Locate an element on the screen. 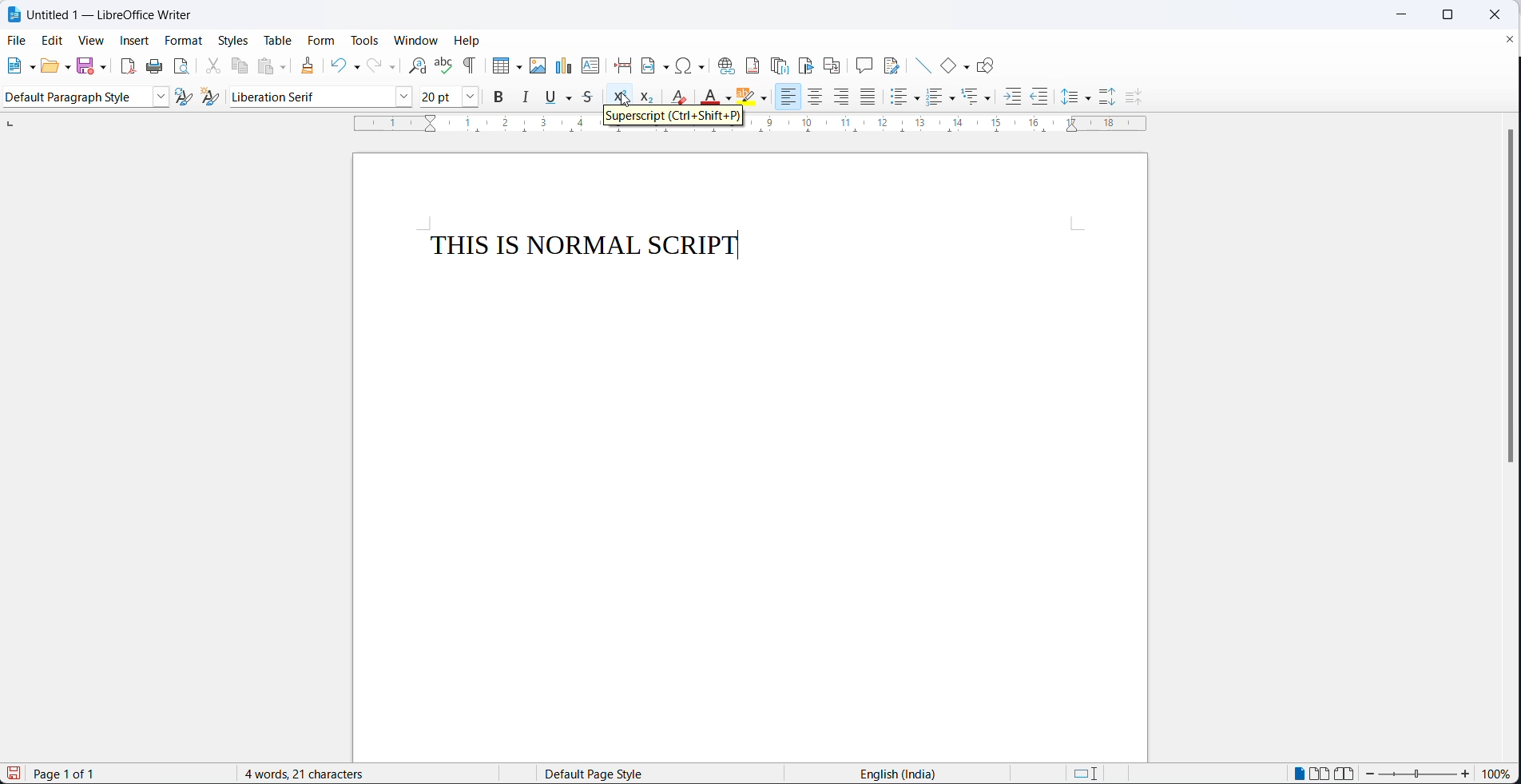 Image resolution: width=1521 pixels, height=784 pixels. scroll bar is located at coordinates (1503, 298).